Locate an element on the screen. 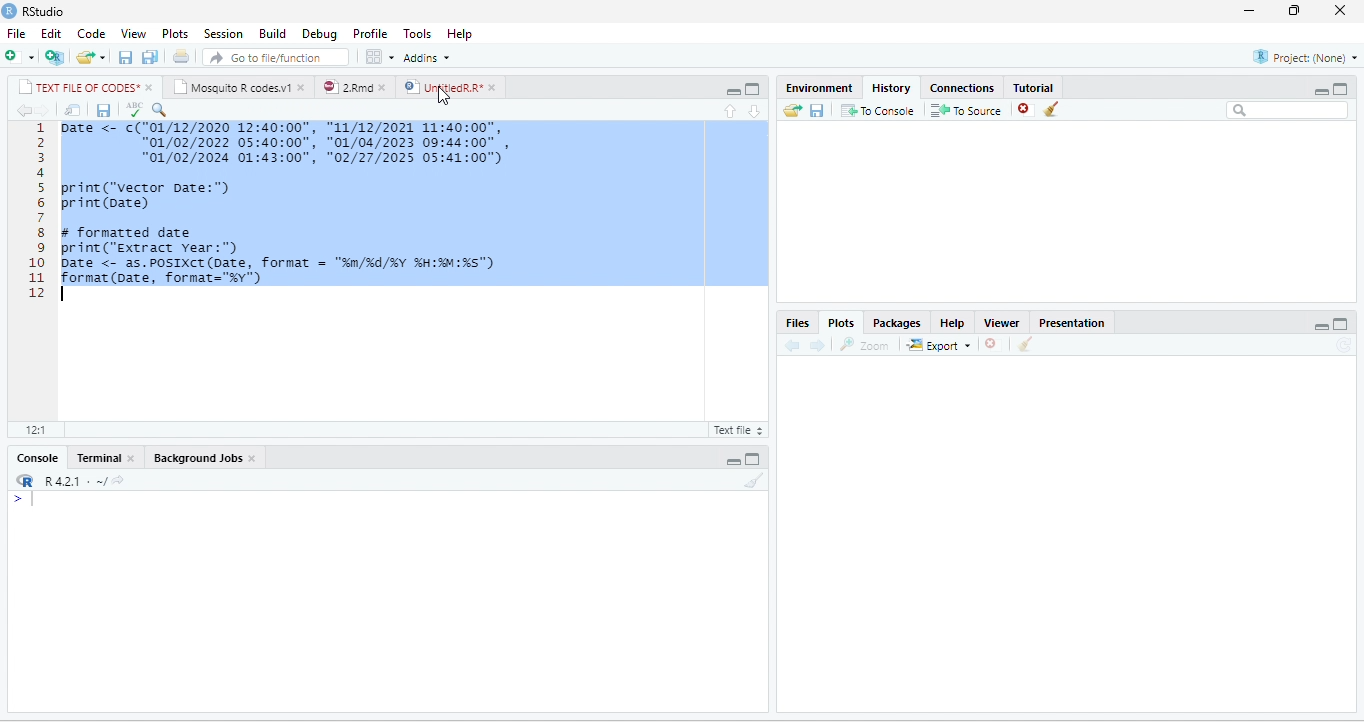 Image resolution: width=1364 pixels, height=722 pixels. 2.Rmd is located at coordinates (346, 87).